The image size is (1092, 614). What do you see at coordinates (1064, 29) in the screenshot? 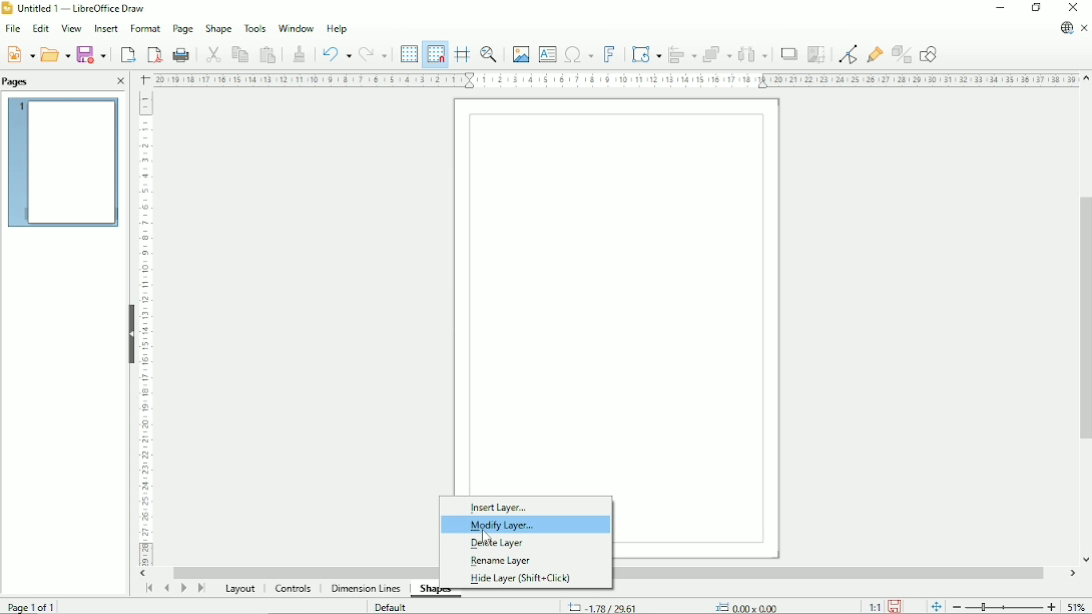
I see `Update available` at bounding box center [1064, 29].